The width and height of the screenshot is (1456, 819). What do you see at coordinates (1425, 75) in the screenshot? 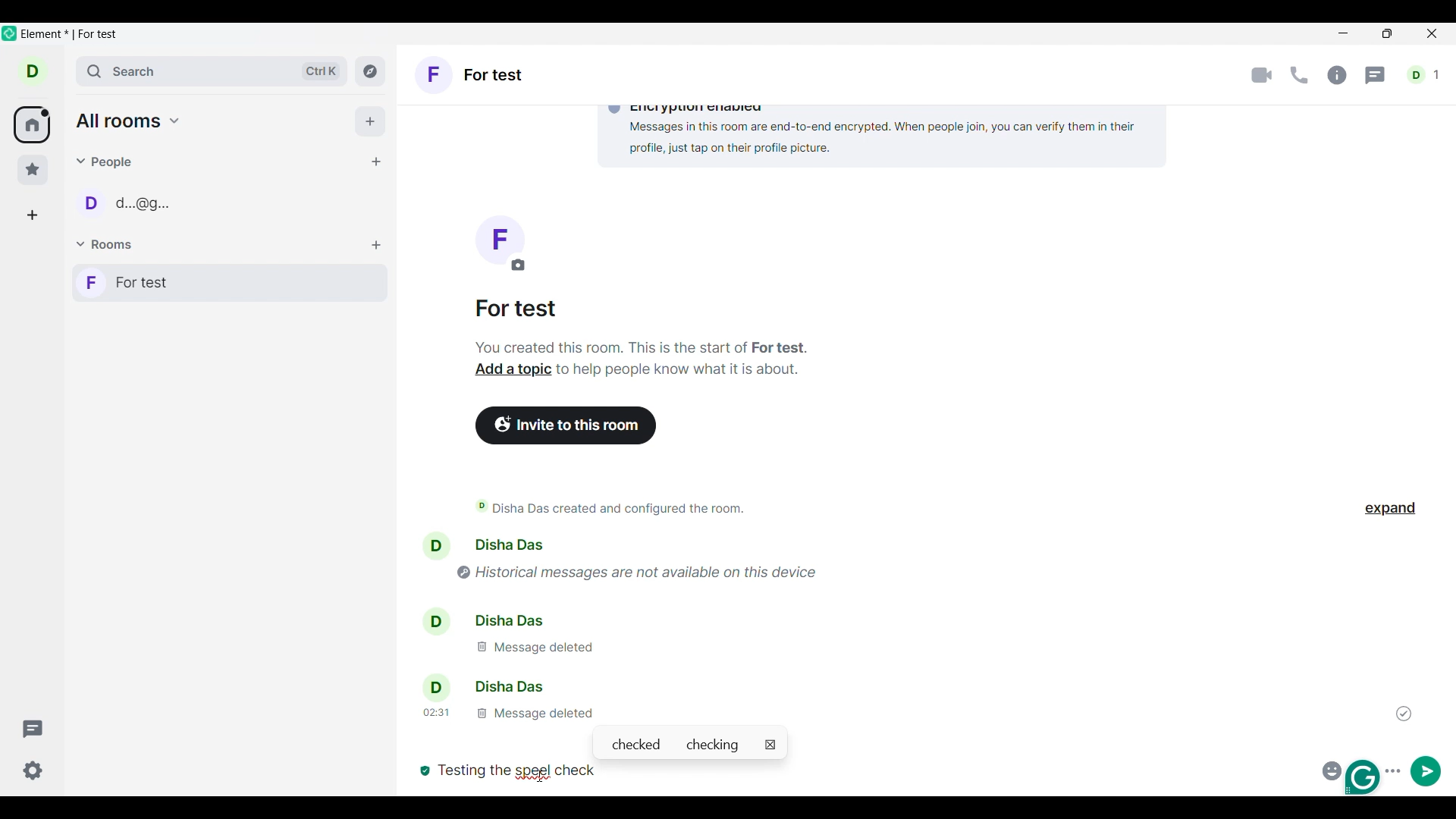
I see `d1` at bounding box center [1425, 75].